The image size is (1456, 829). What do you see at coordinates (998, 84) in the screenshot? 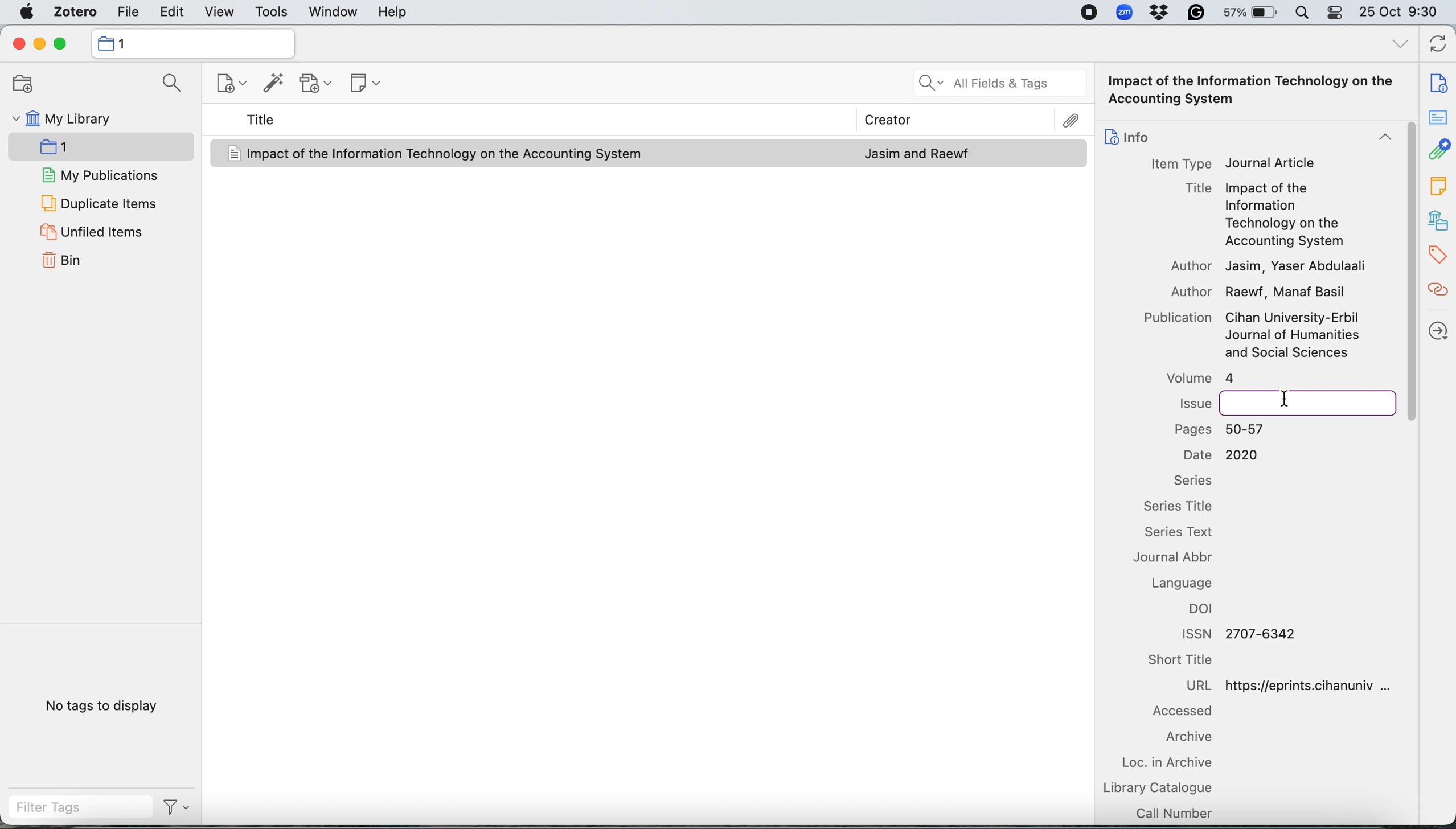
I see `All fields & Tags` at bounding box center [998, 84].